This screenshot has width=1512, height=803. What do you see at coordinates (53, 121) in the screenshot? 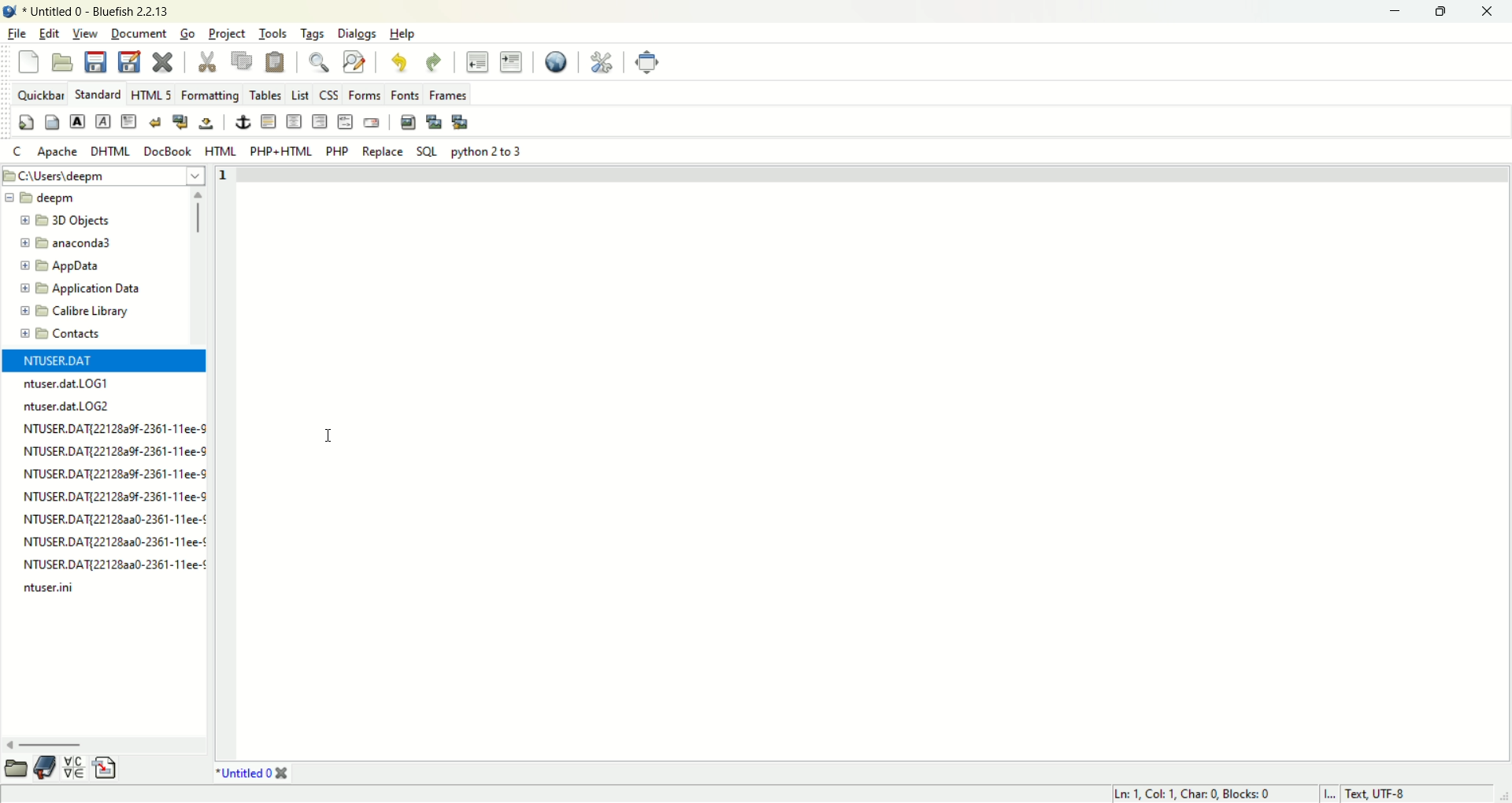
I see `body` at bounding box center [53, 121].